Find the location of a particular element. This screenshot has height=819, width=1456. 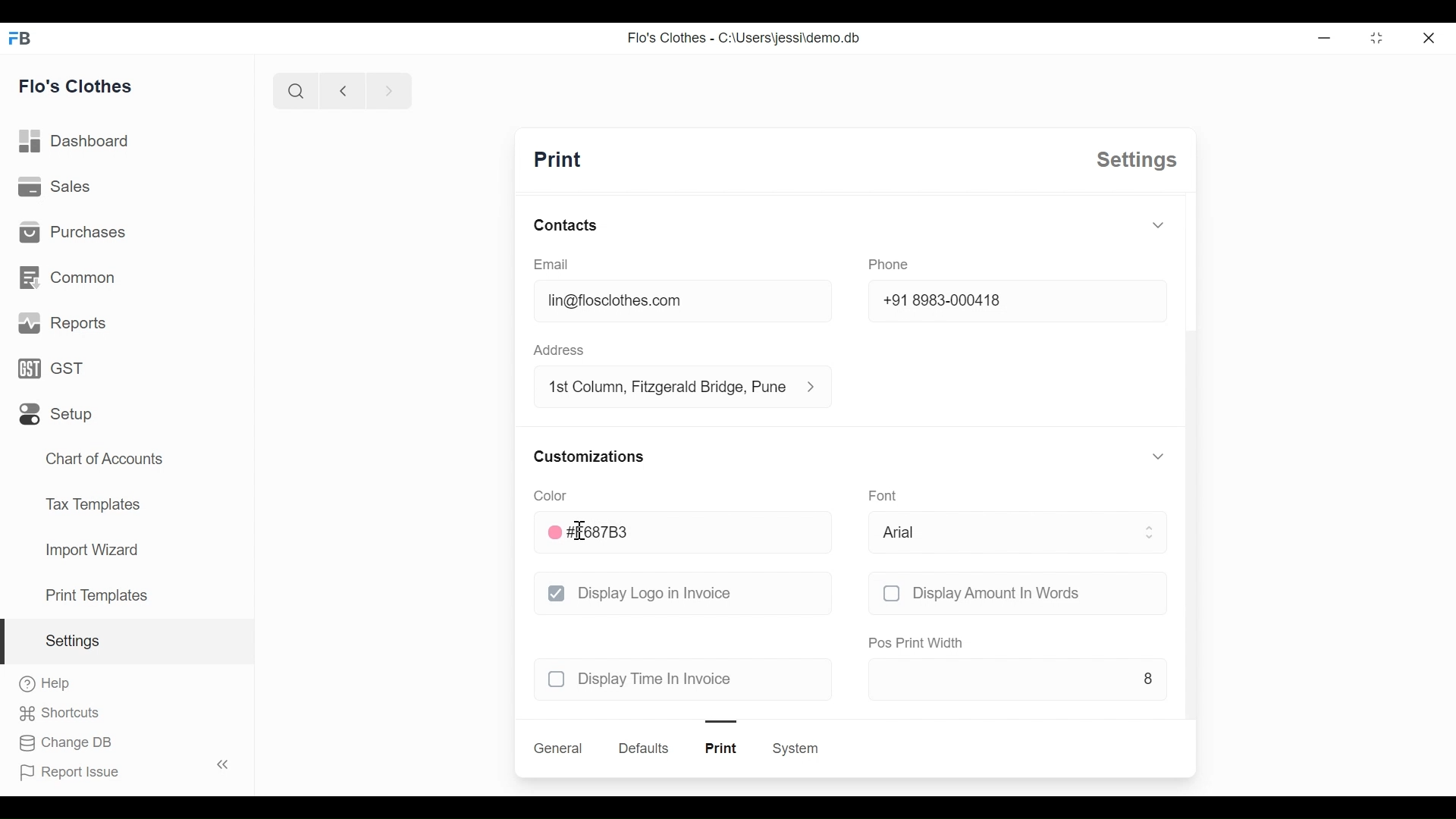

close is located at coordinates (1428, 37).